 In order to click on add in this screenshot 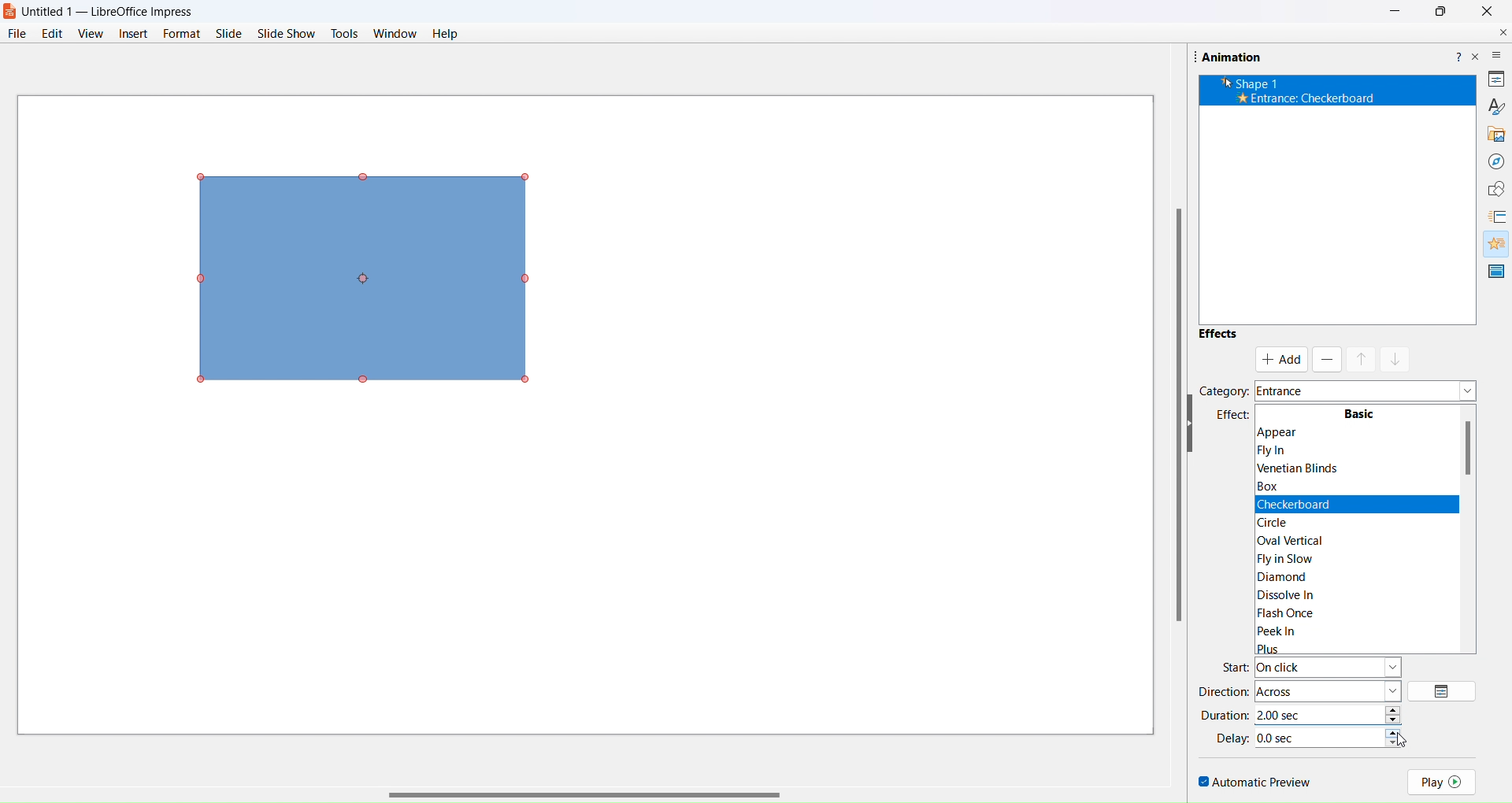, I will do `click(1282, 360)`.